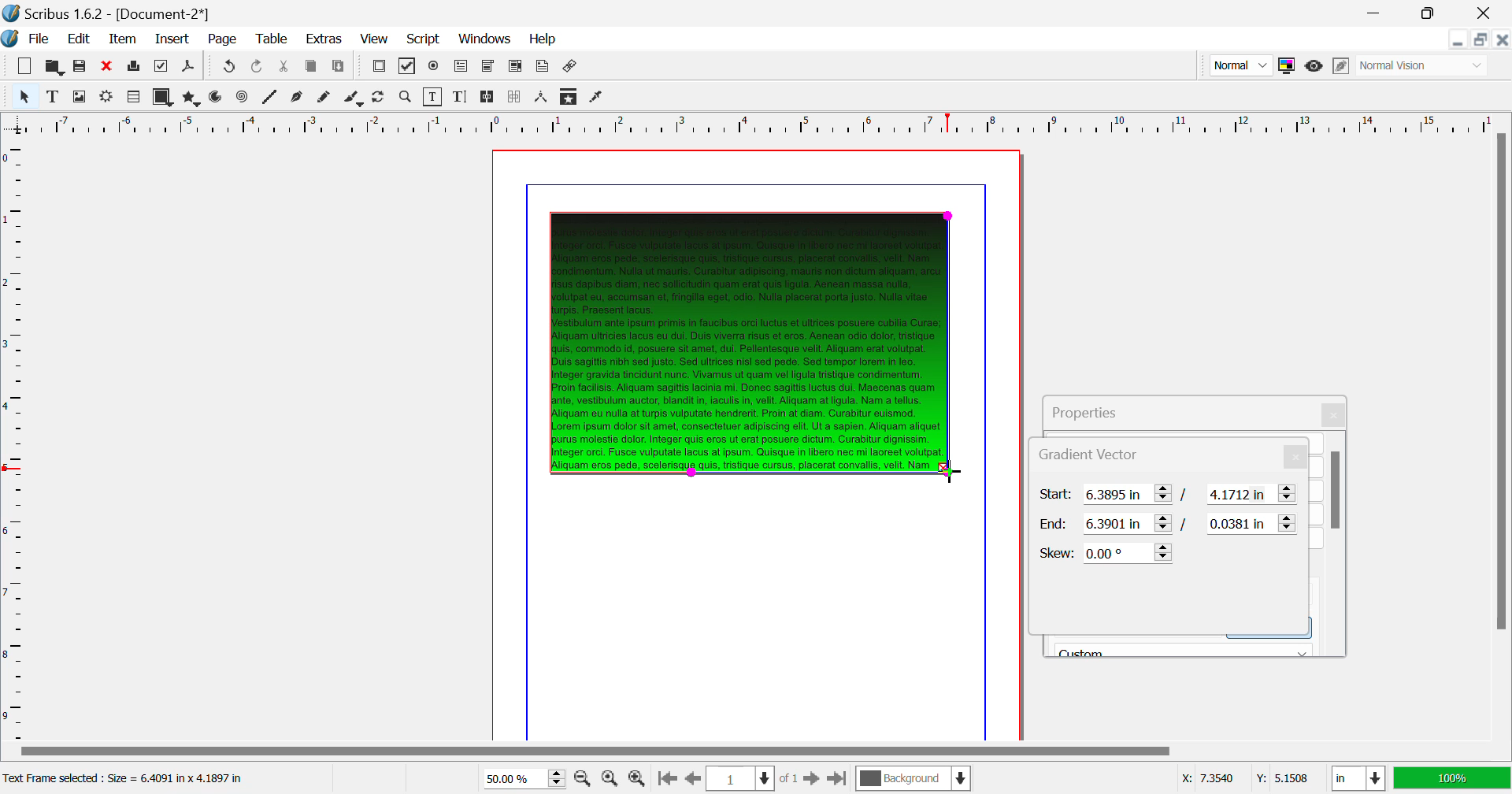  What do you see at coordinates (382, 98) in the screenshot?
I see `Page Rotation` at bounding box center [382, 98].